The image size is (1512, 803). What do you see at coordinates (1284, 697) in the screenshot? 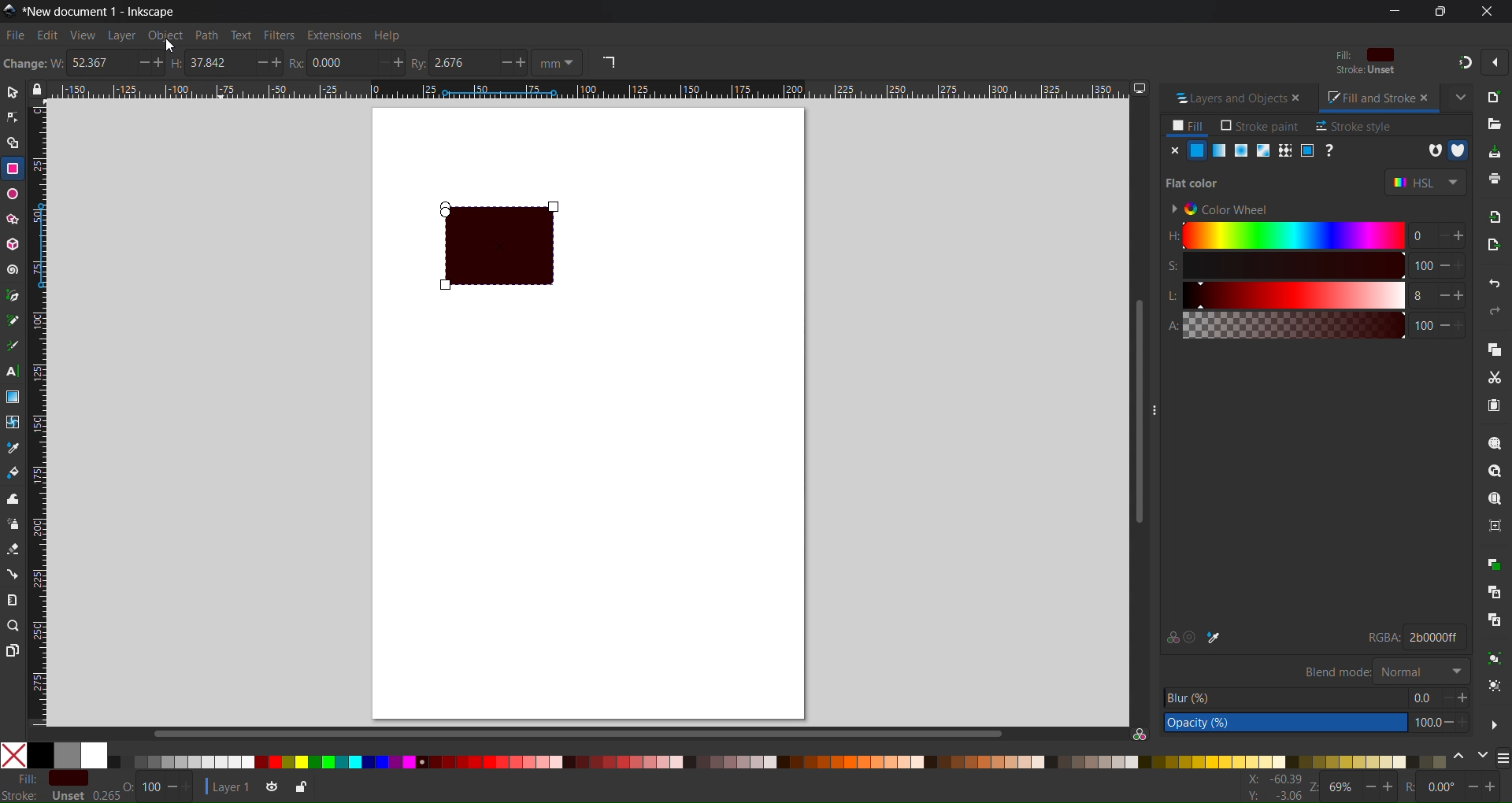
I see `edit Blur percentage` at bounding box center [1284, 697].